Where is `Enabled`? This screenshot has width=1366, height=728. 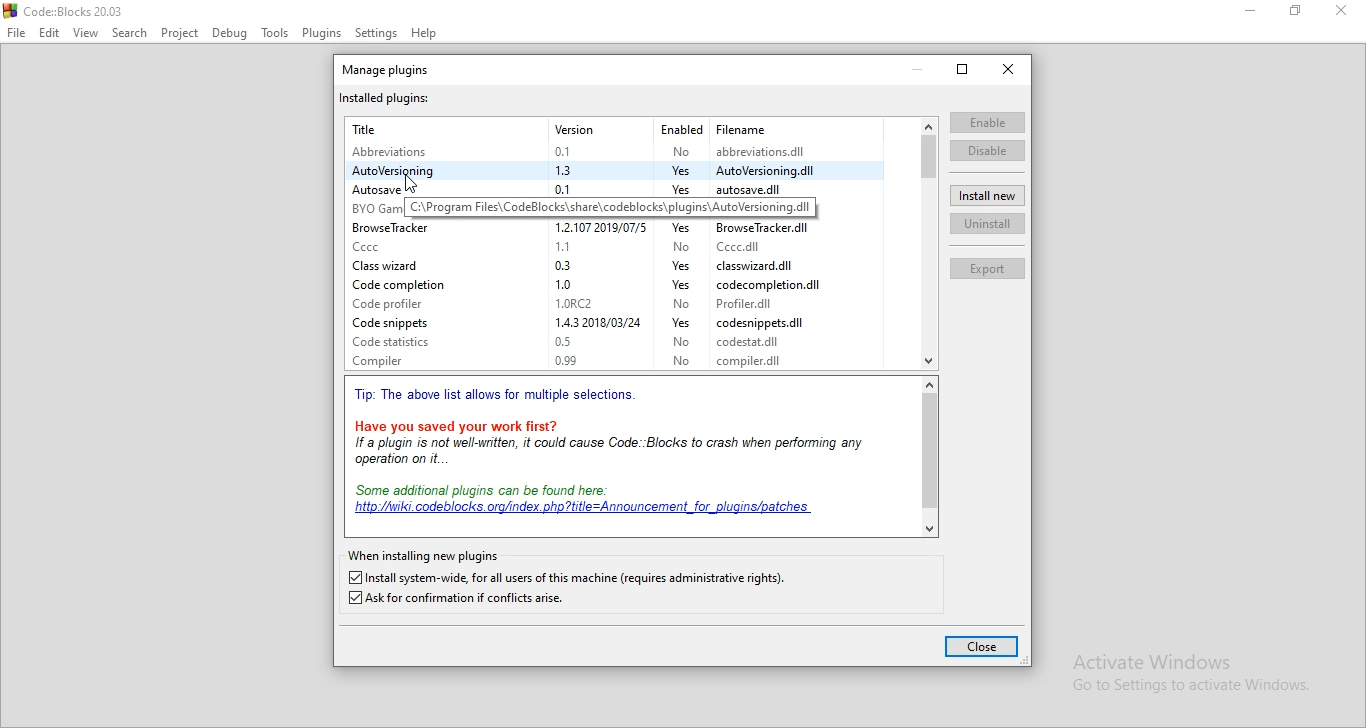
Enabled is located at coordinates (679, 127).